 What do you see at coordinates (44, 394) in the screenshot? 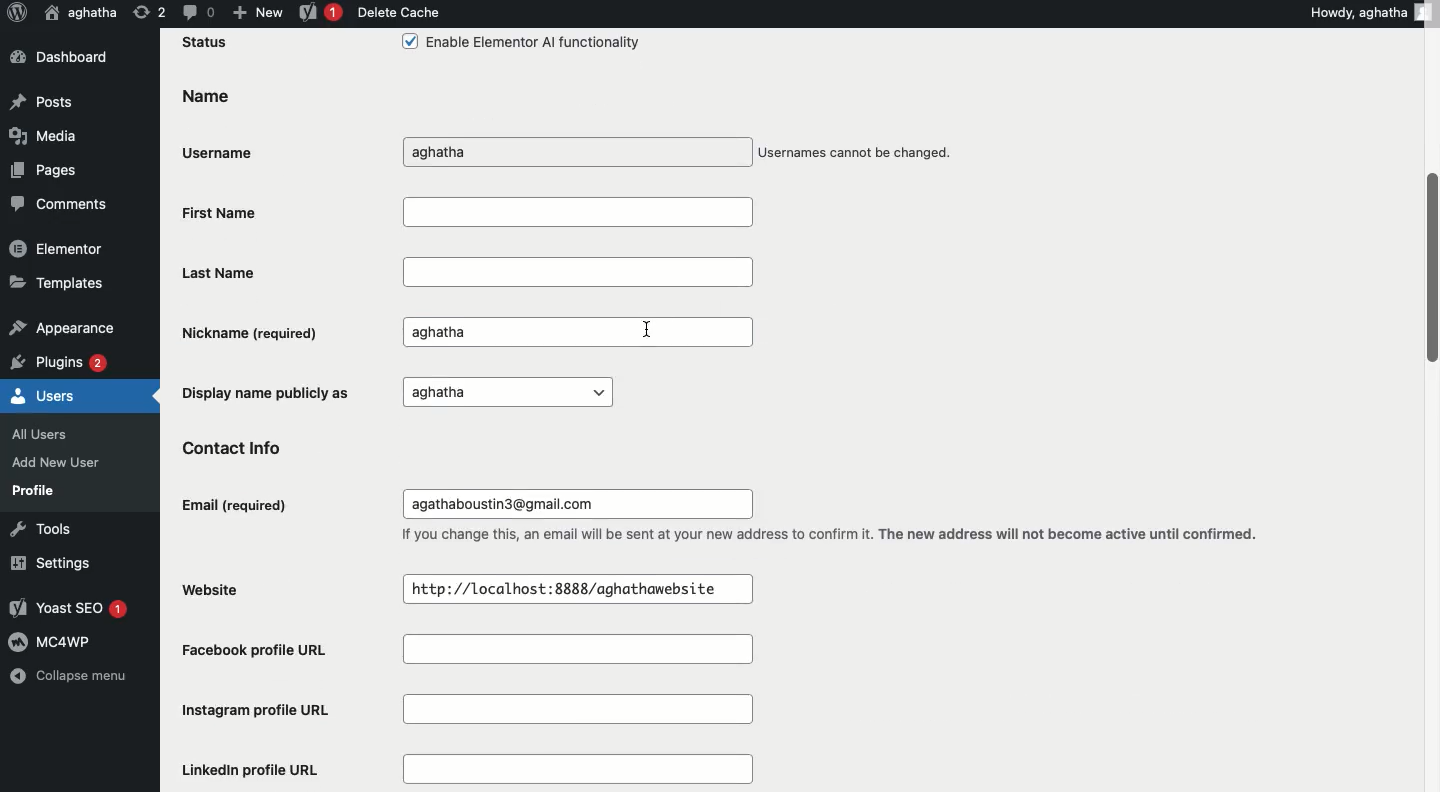
I see `Users` at bounding box center [44, 394].